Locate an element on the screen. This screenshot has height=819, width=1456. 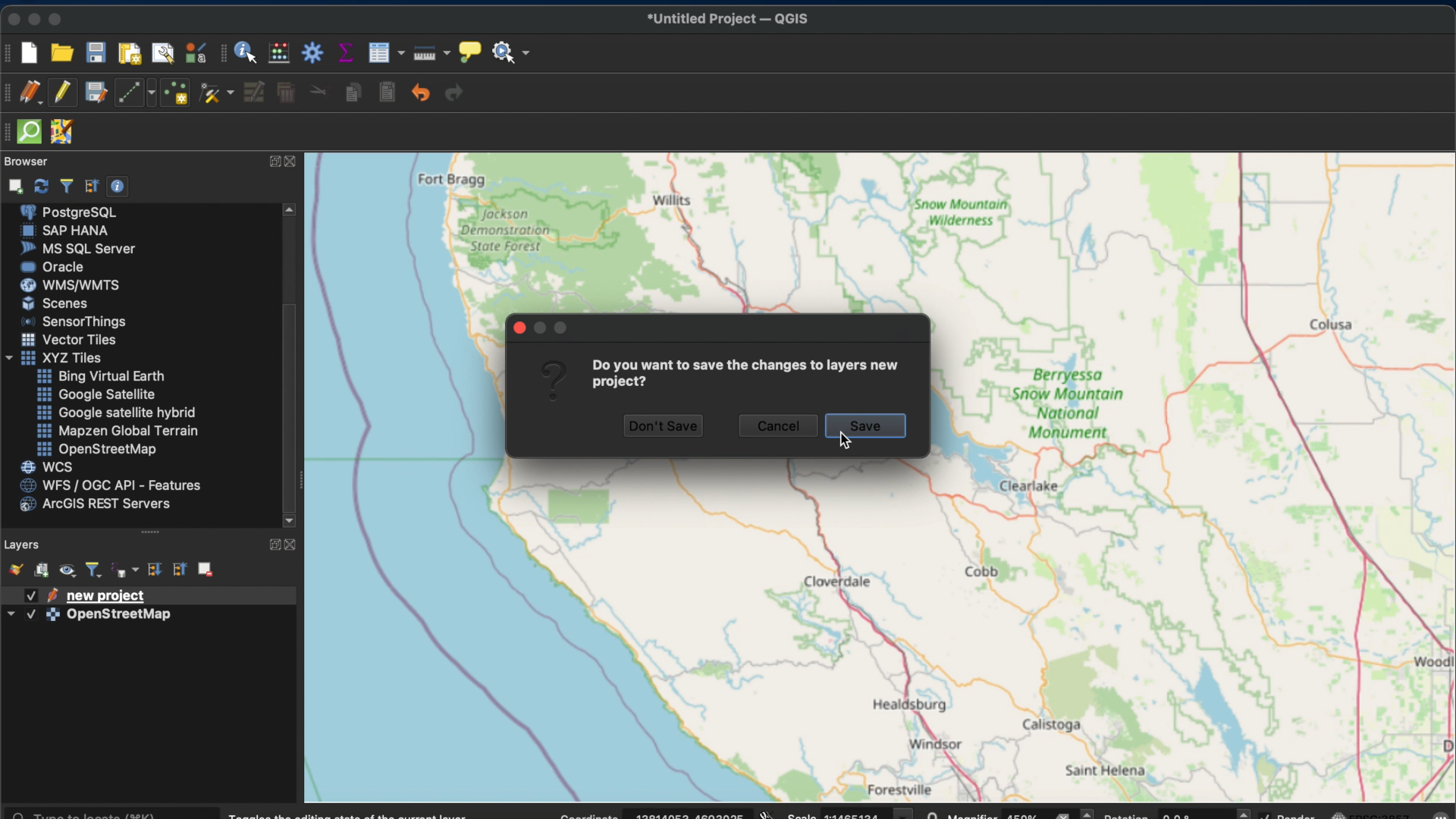
collapse all is located at coordinates (179, 570).